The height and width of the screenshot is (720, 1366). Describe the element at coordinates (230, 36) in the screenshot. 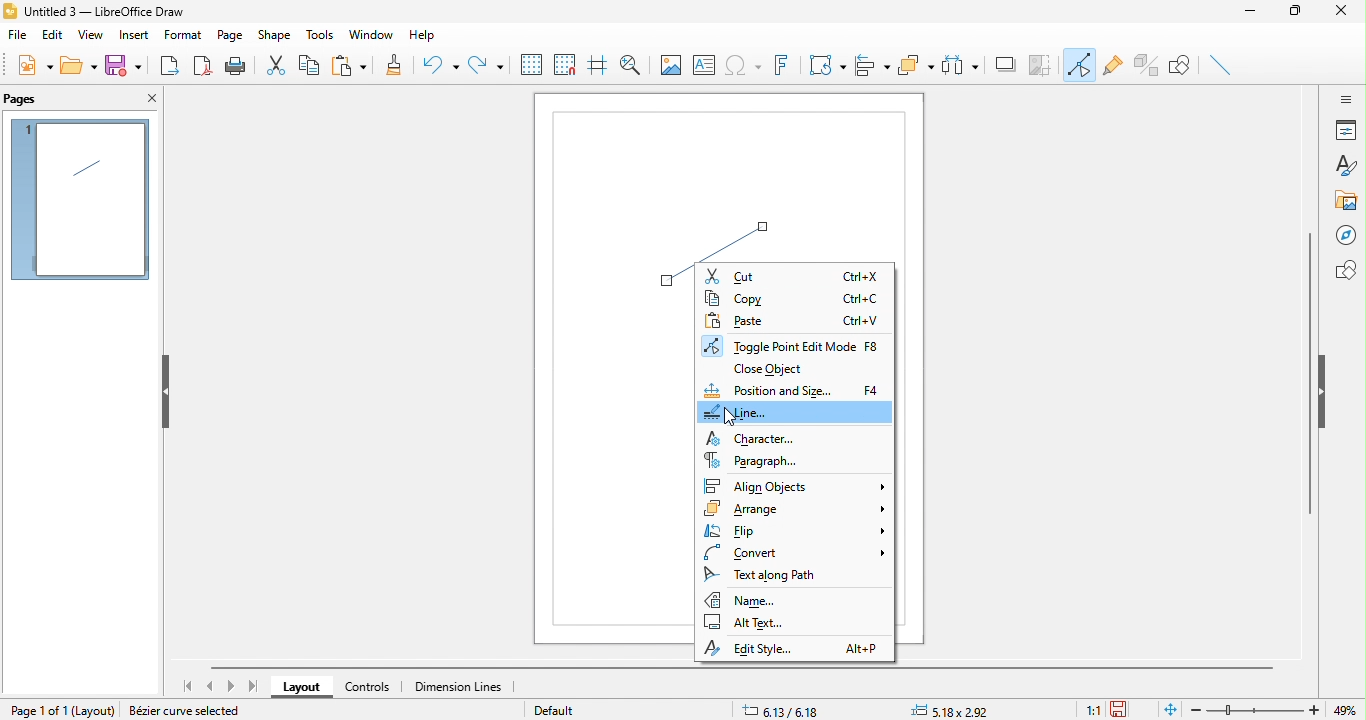

I see `page` at that location.